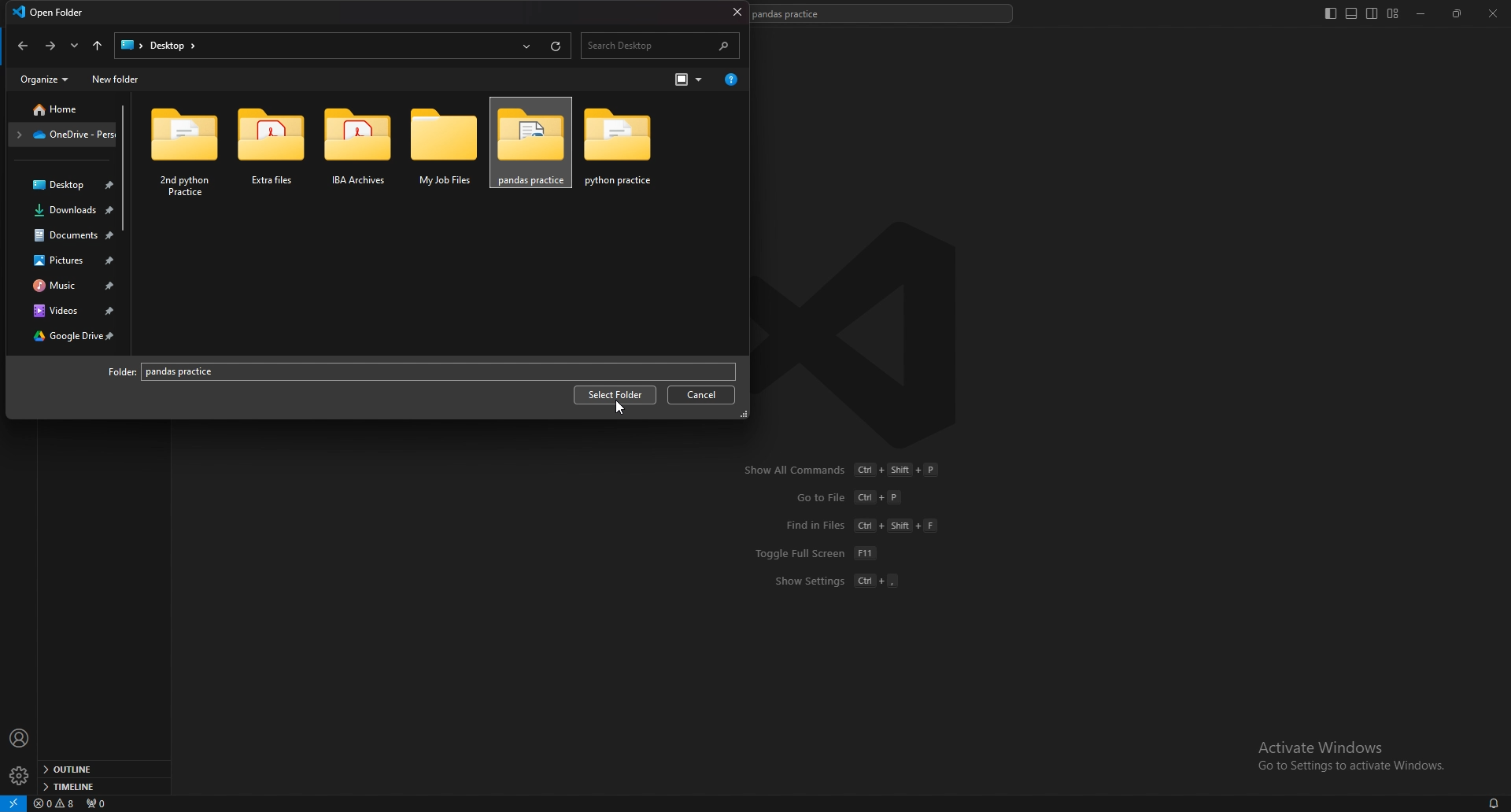 Image resolution: width=1511 pixels, height=812 pixels. What do you see at coordinates (66, 135) in the screenshot?
I see `folder` at bounding box center [66, 135].